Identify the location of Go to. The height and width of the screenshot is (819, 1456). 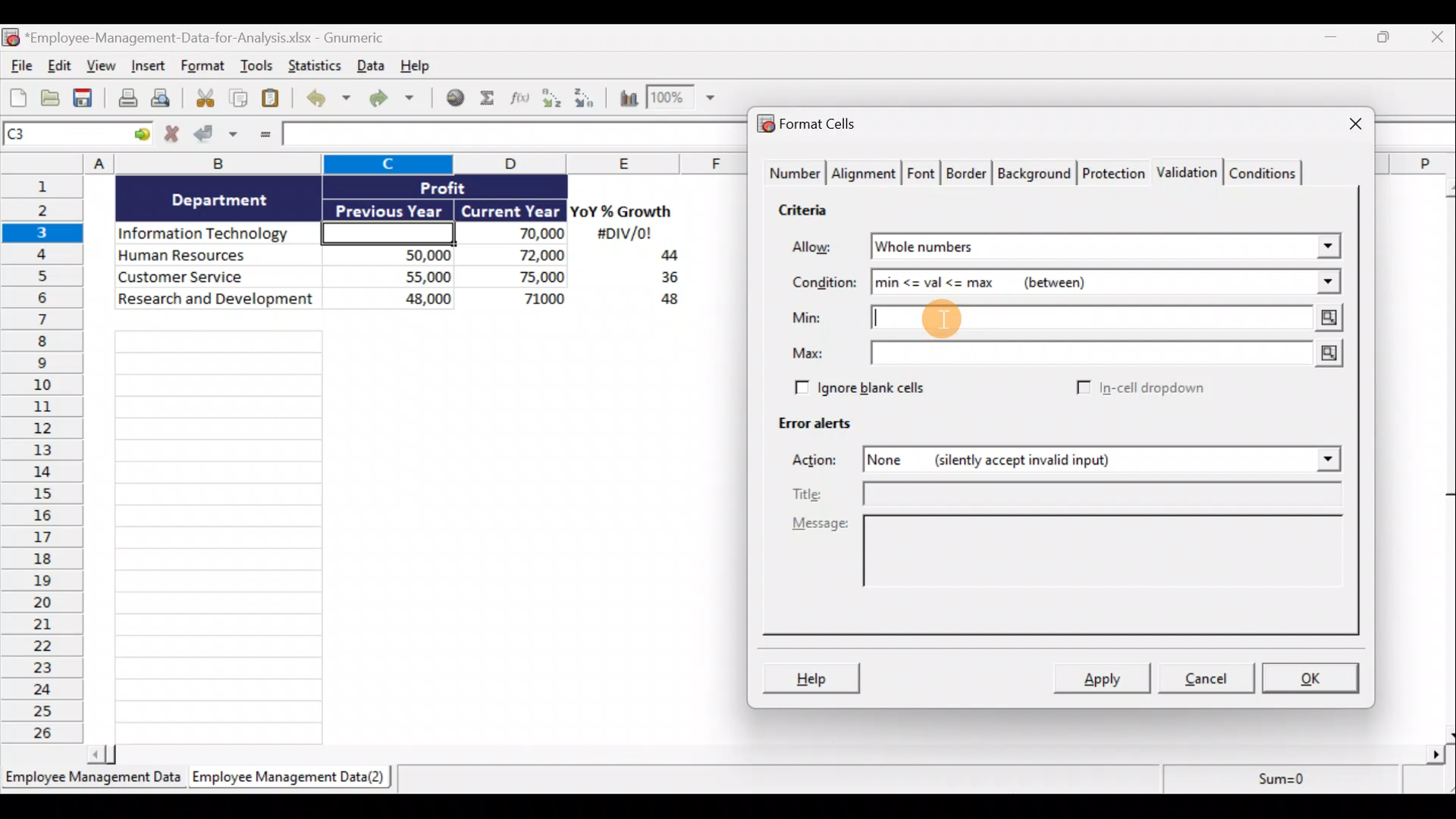
(142, 135).